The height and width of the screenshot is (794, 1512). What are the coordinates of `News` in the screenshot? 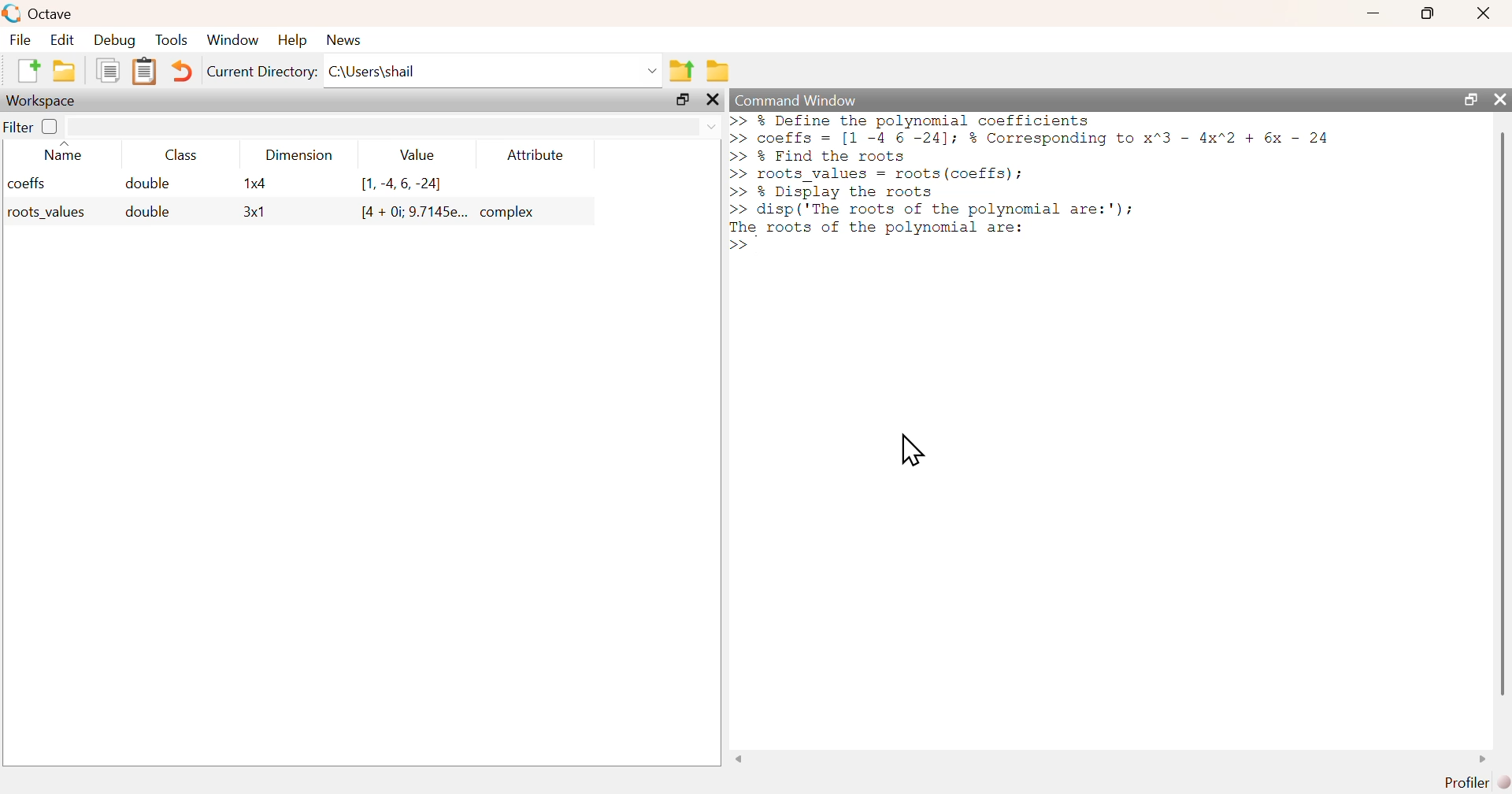 It's located at (343, 39).